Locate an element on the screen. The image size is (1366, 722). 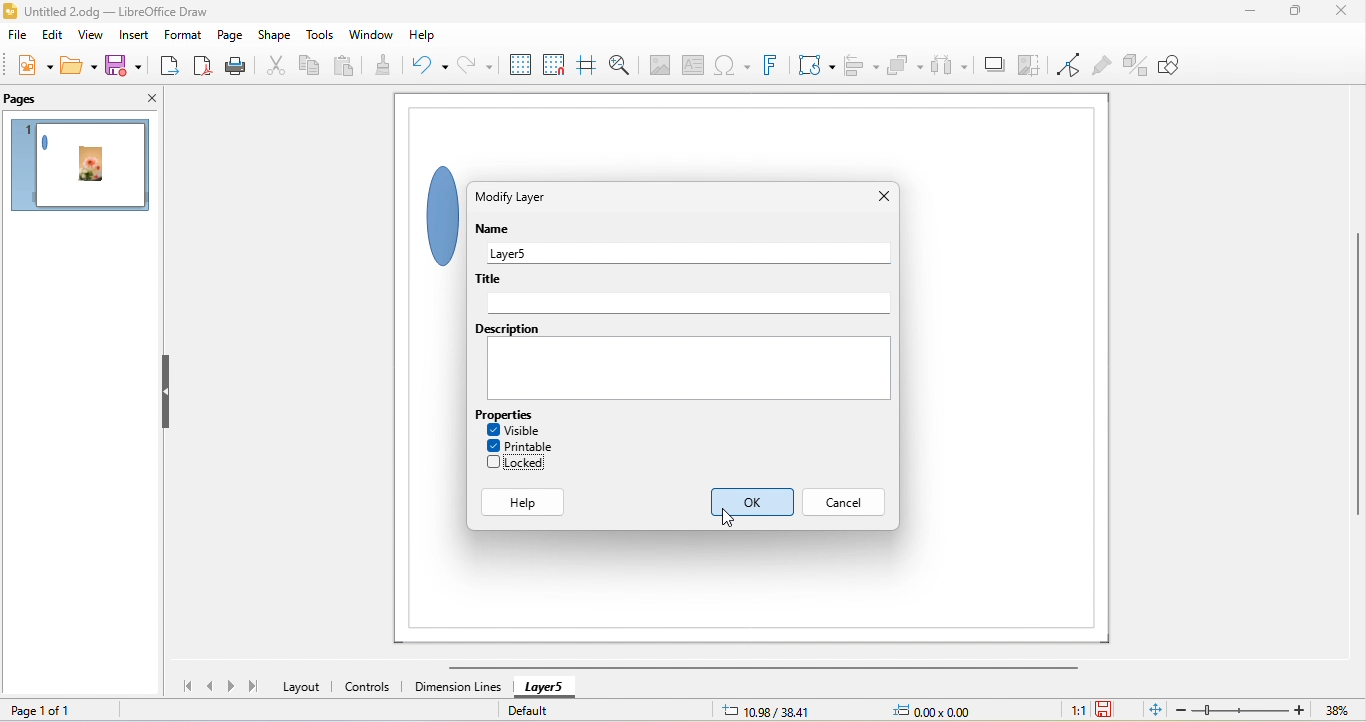
show draw function  is located at coordinates (1173, 63).